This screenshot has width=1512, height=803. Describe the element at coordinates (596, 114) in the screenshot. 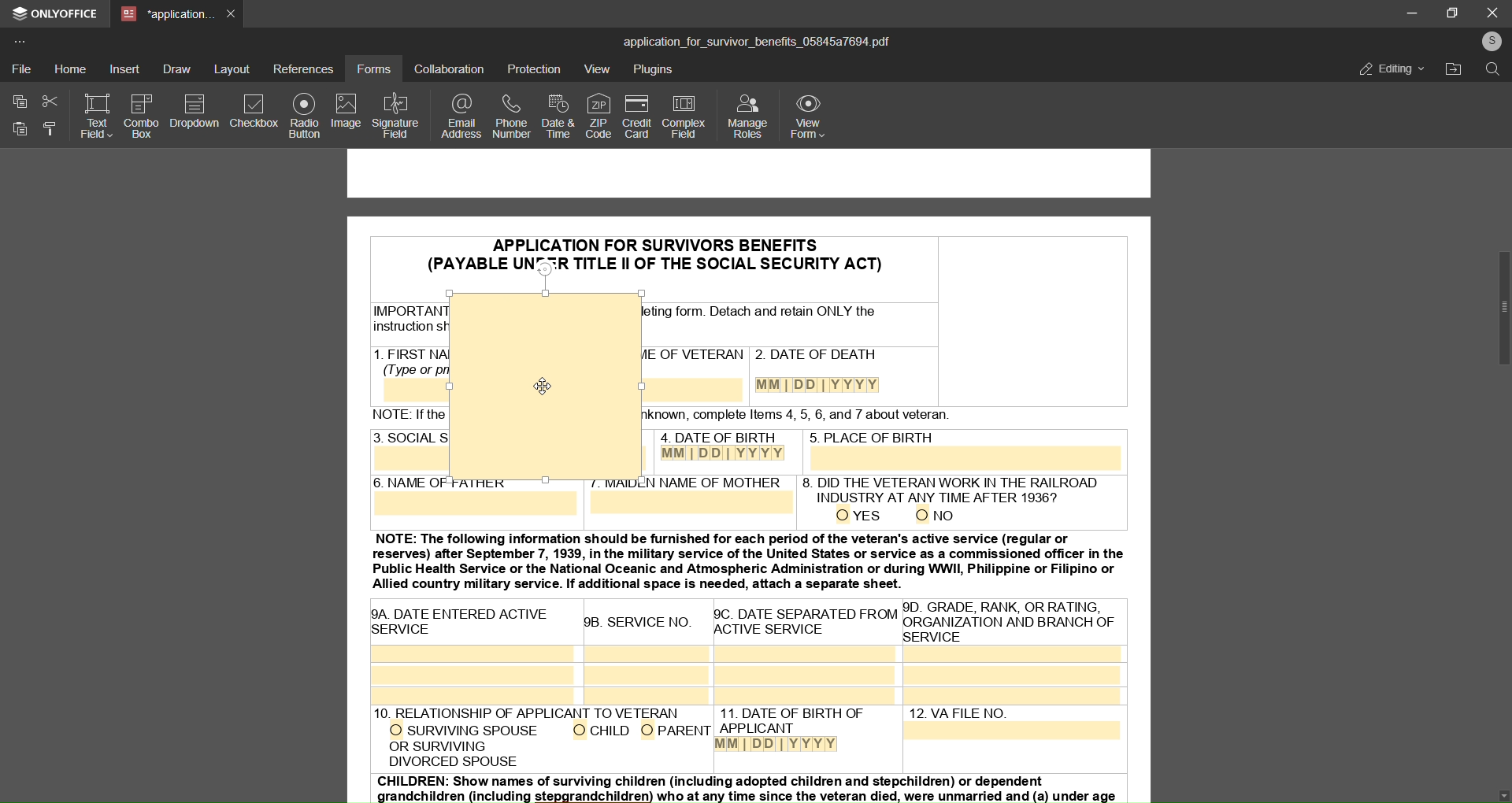

I see `zip code` at that location.